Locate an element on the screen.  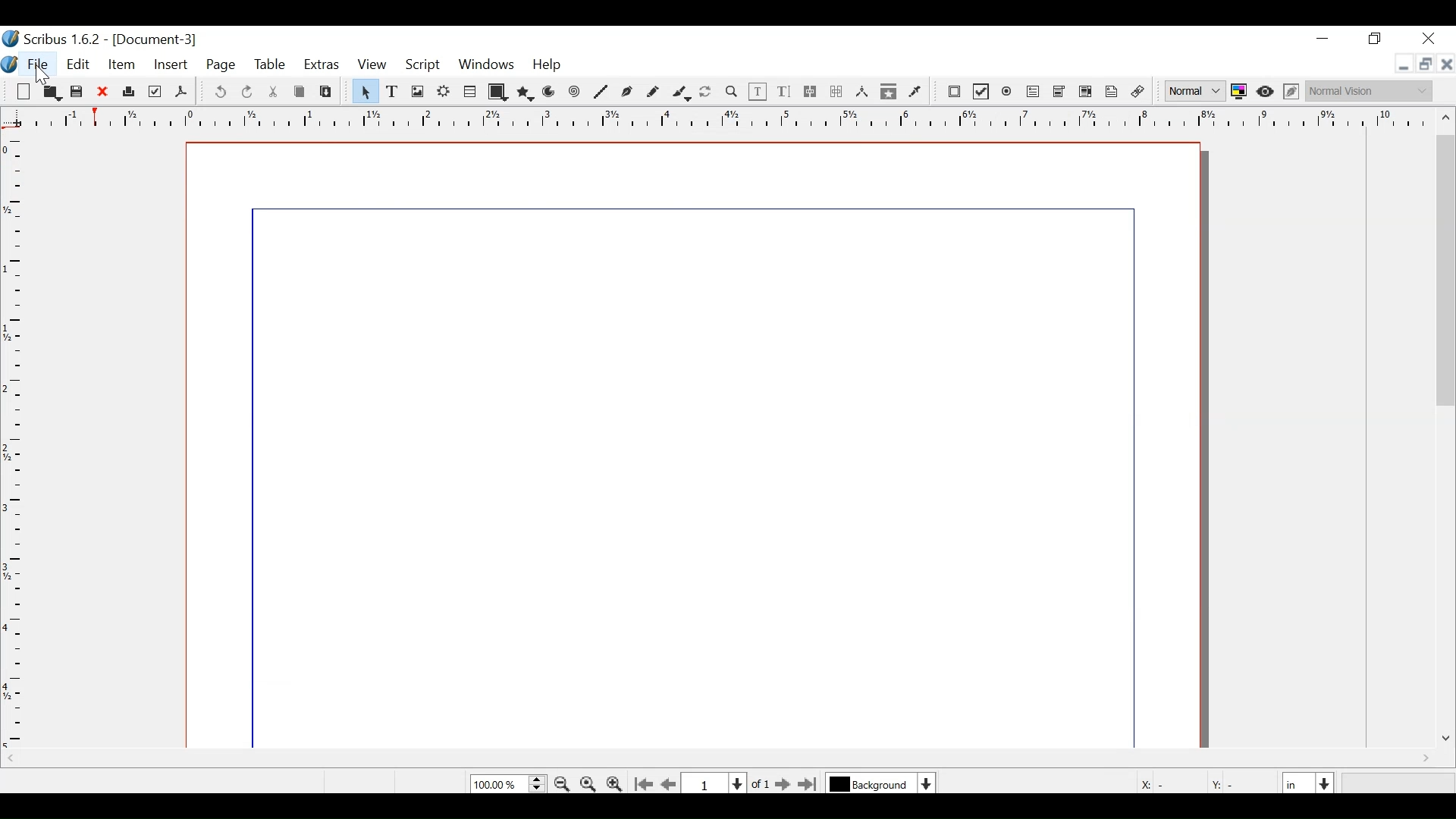
Undo  is located at coordinates (221, 93).